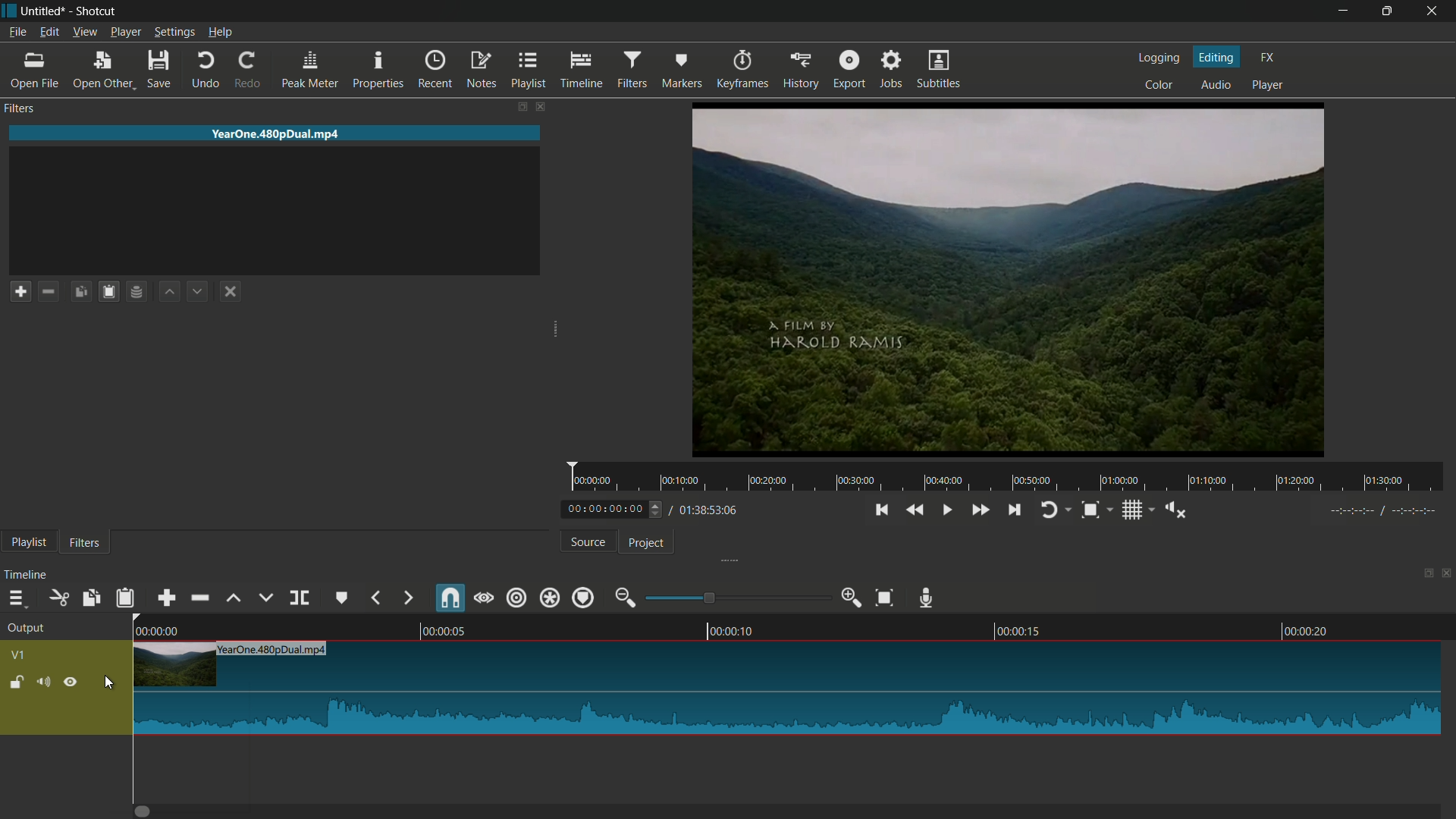 The height and width of the screenshot is (819, 1456). Describe the element at coordinates (299, 598) in the screenshot. I see `split at playhead` at that location.